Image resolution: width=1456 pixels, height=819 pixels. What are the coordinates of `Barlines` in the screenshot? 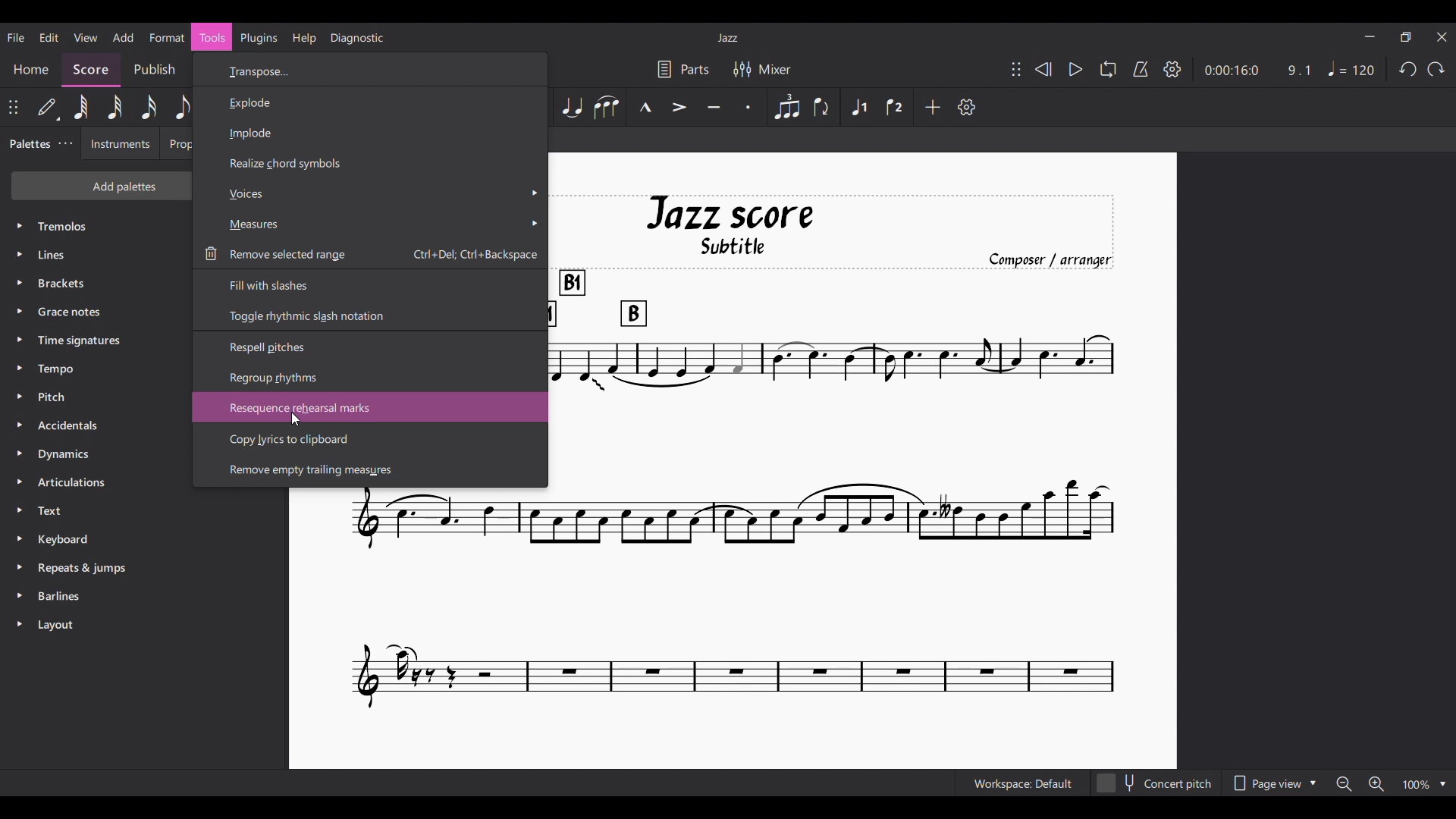 It's located at (144, 596).